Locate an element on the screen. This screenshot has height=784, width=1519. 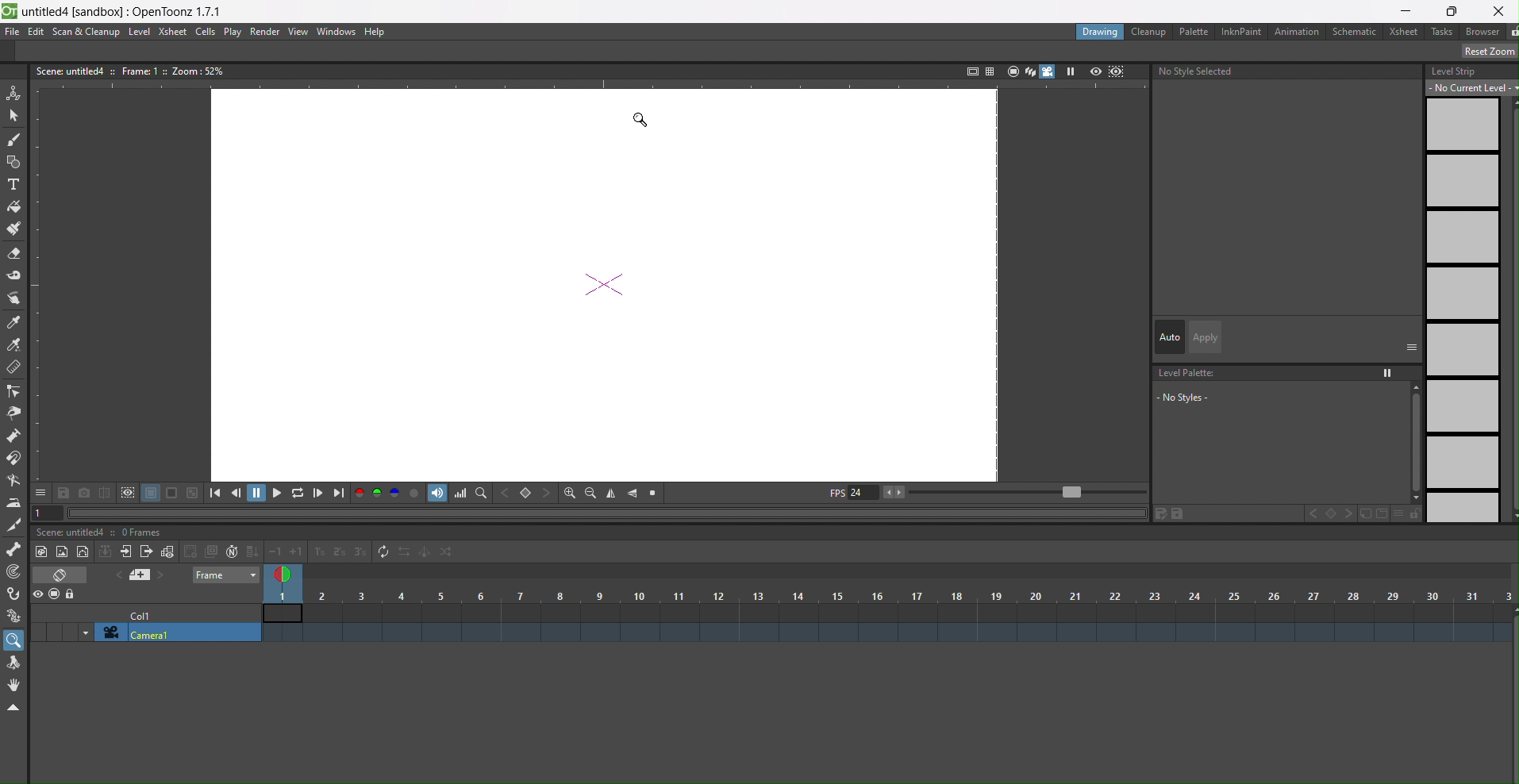
new frame is located at coordinates (168, 551).